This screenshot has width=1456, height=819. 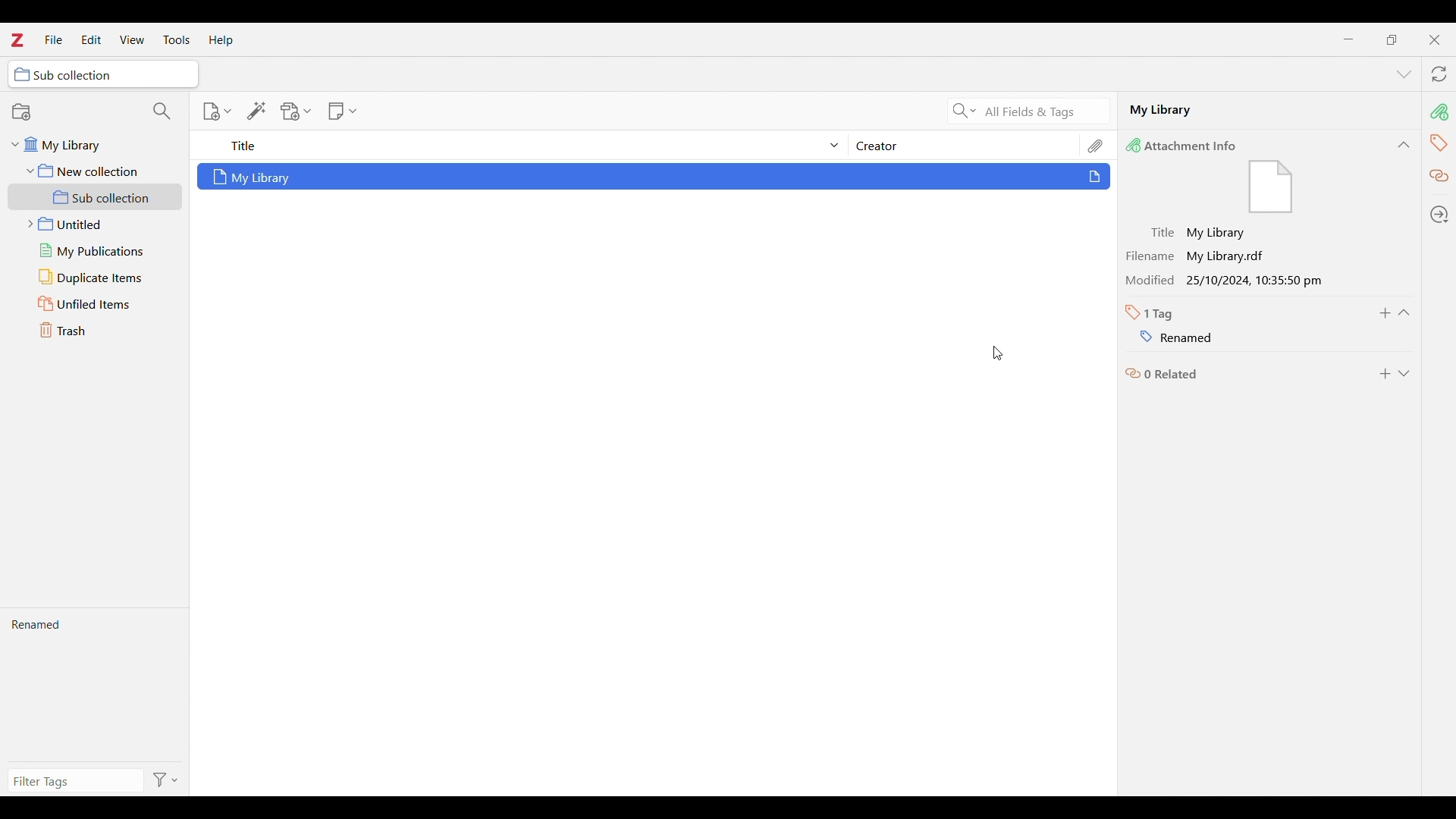 I want to click on Cursor position unchanged, so click(x=997, y=353).